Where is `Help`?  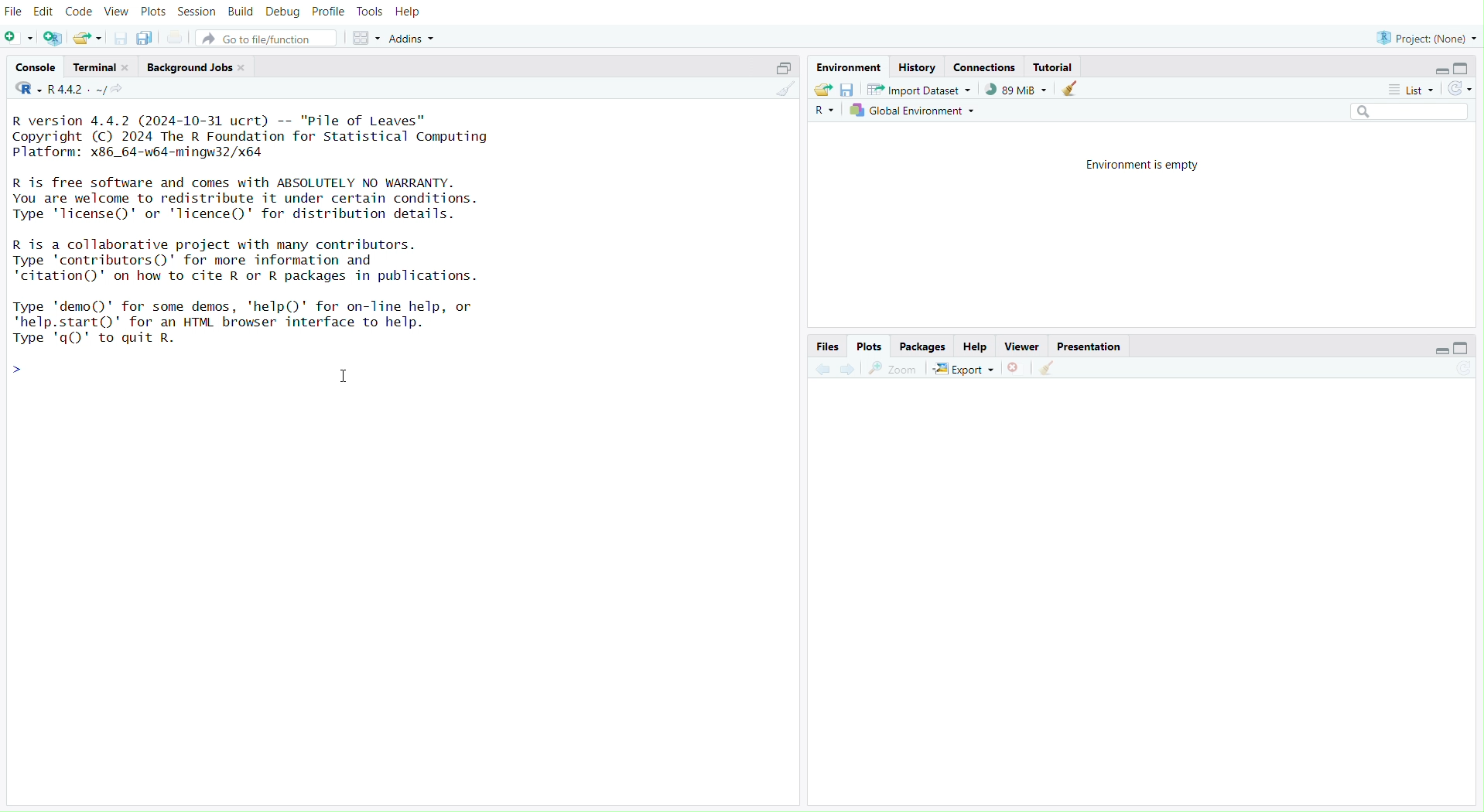
Help is located at coordinates (976, 346).